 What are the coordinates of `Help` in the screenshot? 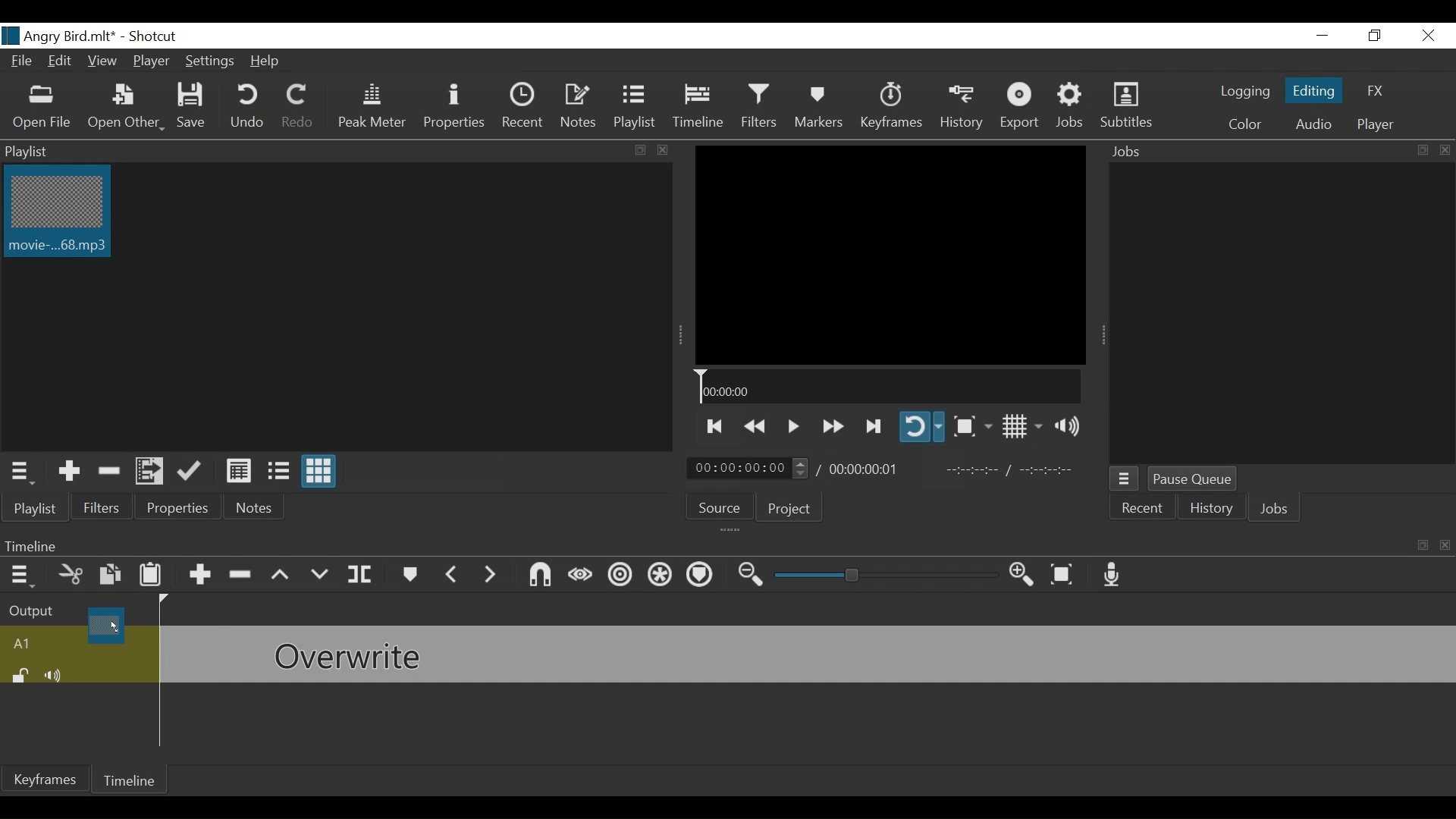 It's located at (266, 61).